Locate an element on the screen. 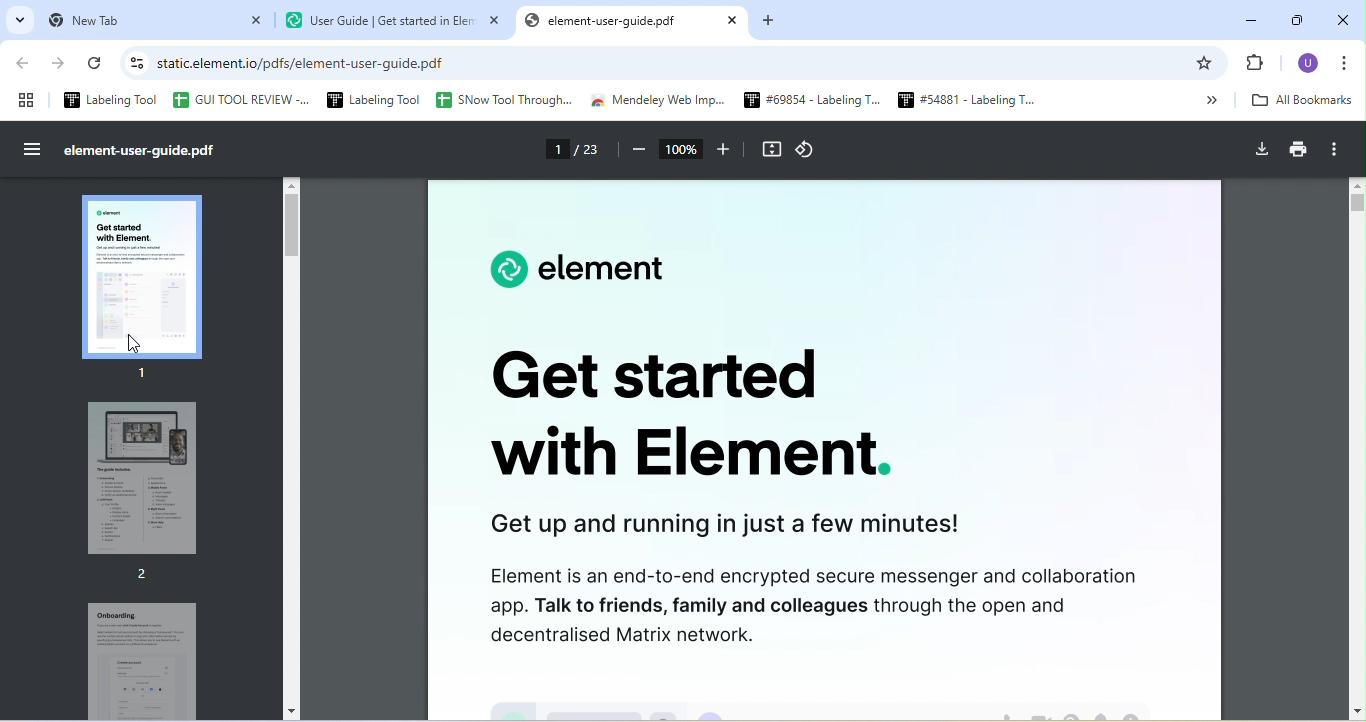 This screenshot has height=722, width=1366. Preview Page 3 is located at coordinates (142, 659).